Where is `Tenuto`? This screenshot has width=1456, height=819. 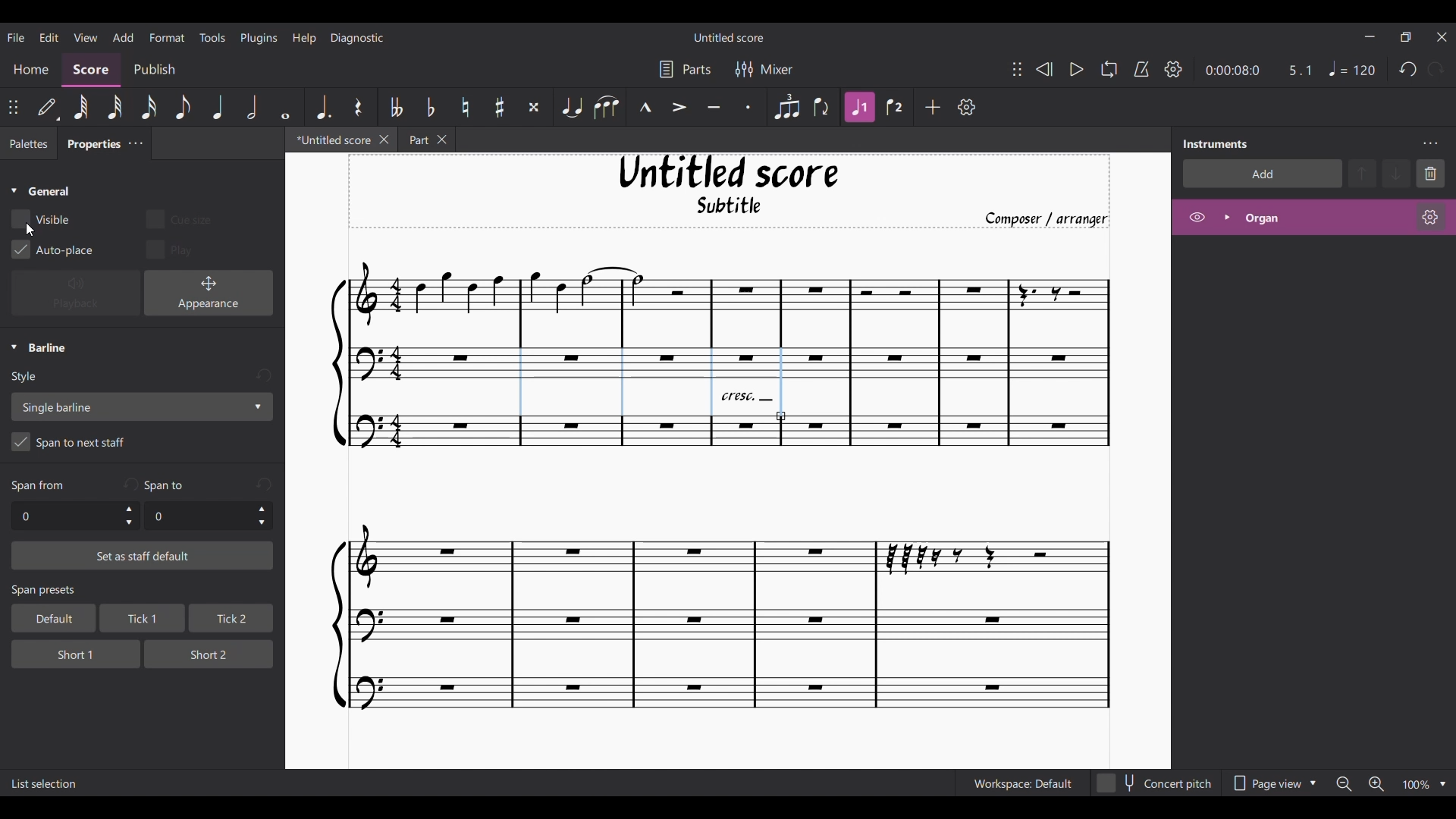 Tenuto is located at coordinates (714, 108).